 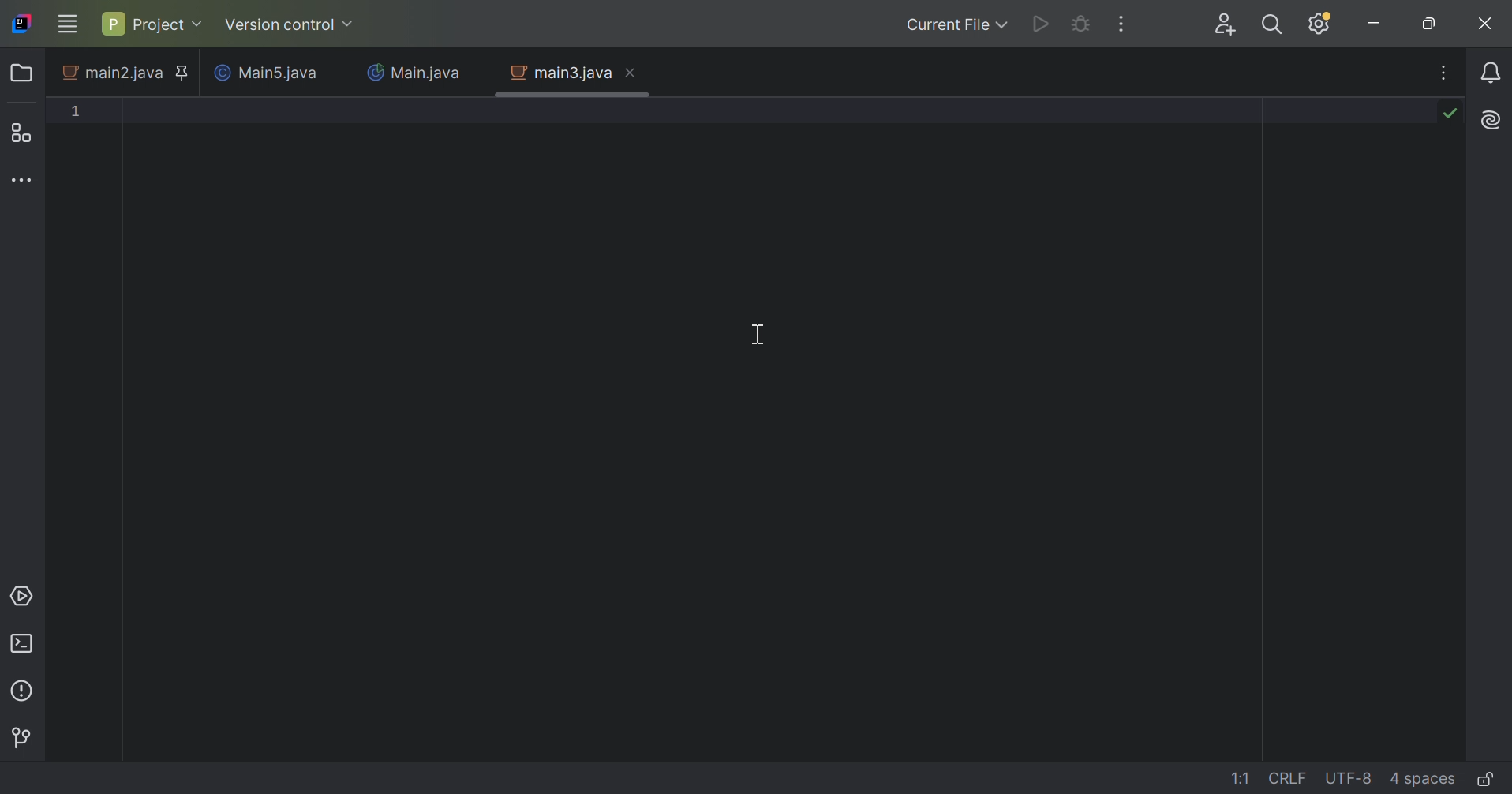 I want to click on Project, so click(x=152, y=24).